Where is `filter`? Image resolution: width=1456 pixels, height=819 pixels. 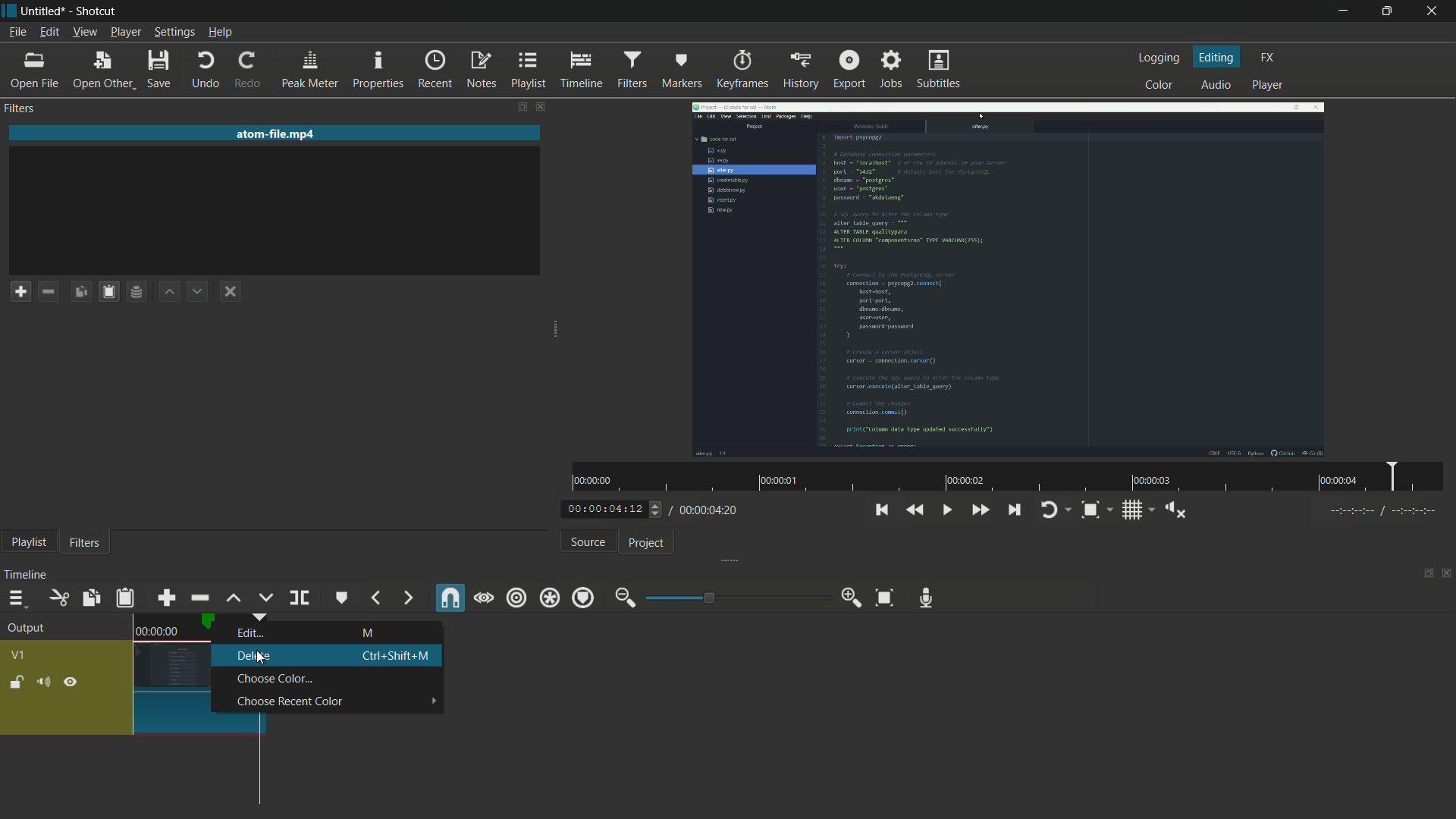
filter is located at coordinates (634, 70).